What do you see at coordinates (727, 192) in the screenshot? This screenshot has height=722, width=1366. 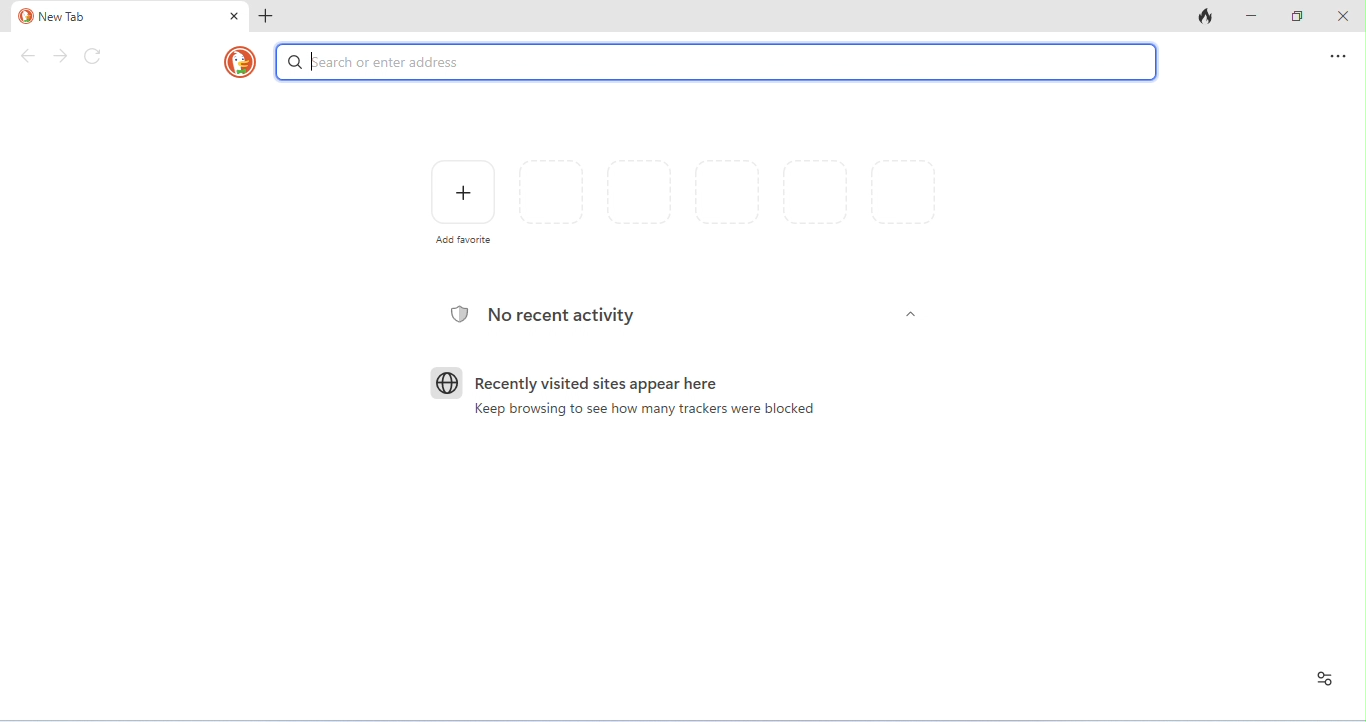 I see `favorites and recently visited pages` at bounding box center [727, 192].